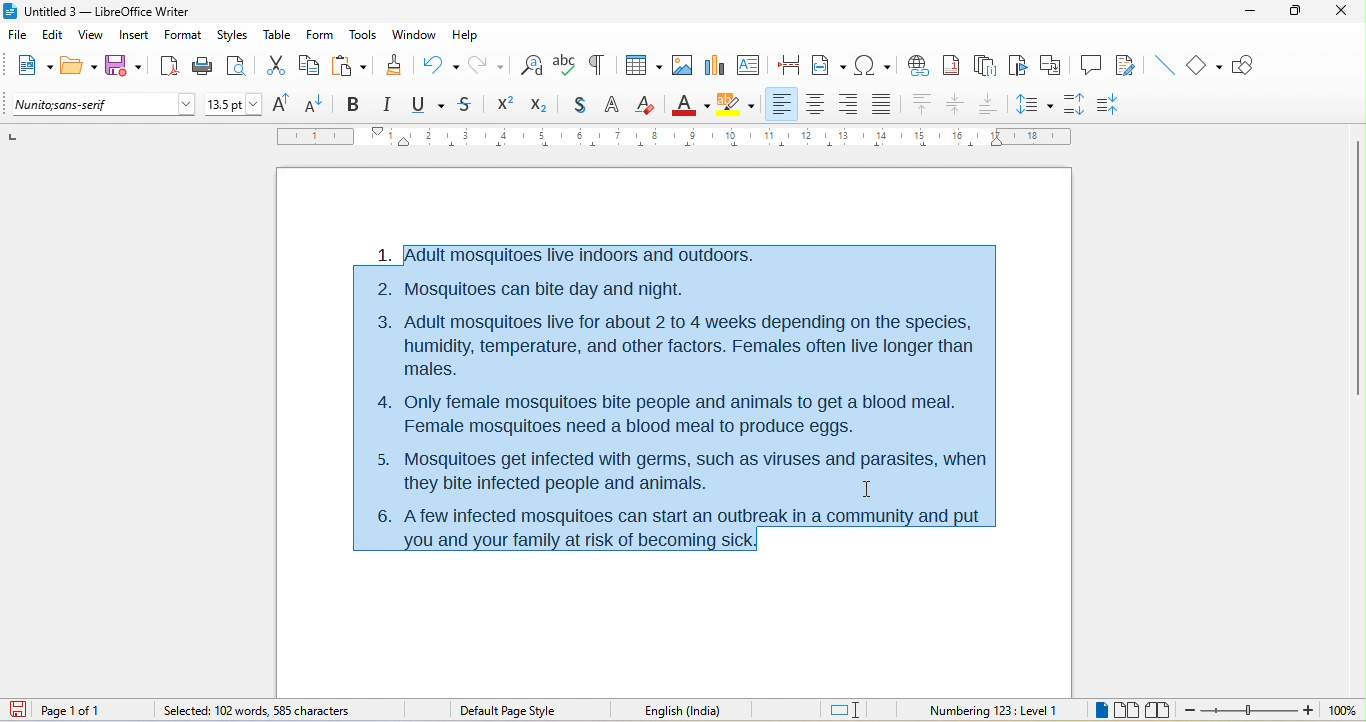 The image size is (1366, 722). I want to click on print, so click(202, 69).